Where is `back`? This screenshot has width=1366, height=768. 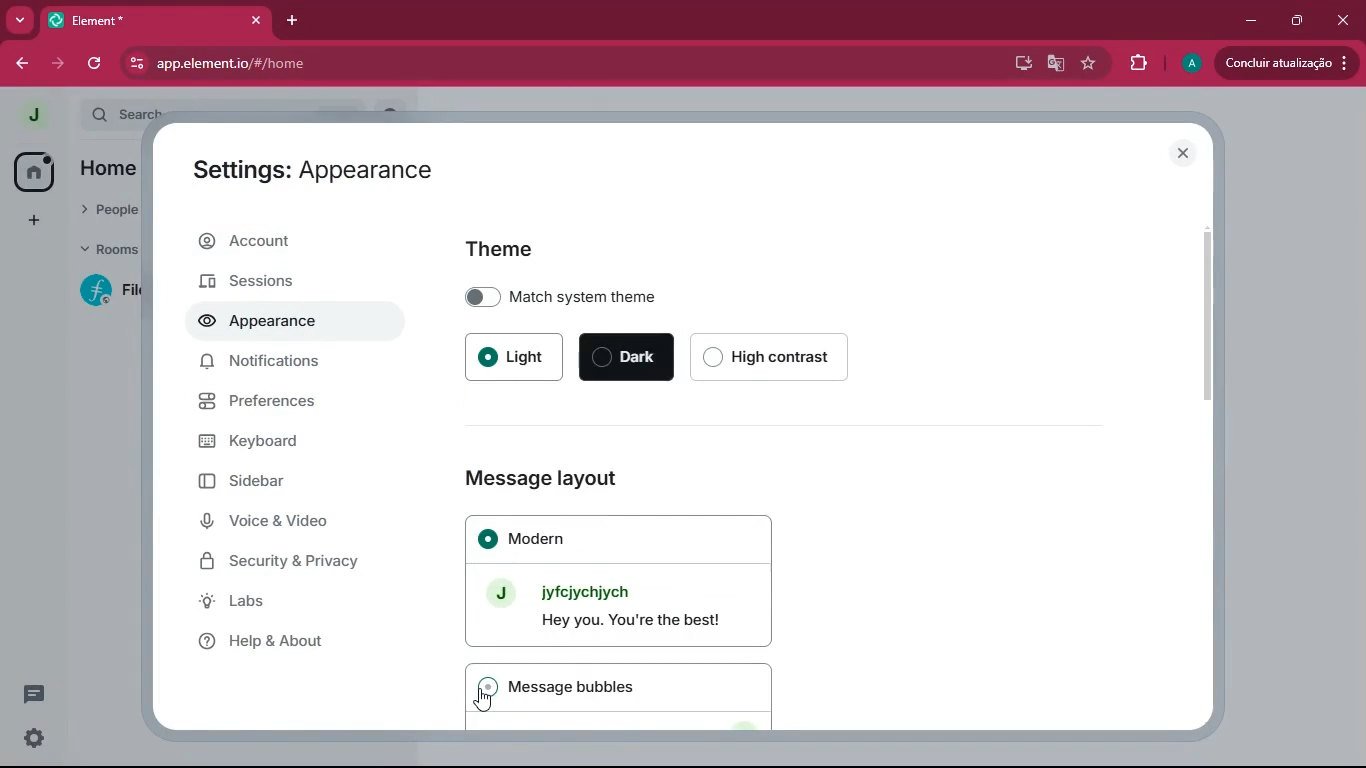 back is located at coordinates (21, 66).